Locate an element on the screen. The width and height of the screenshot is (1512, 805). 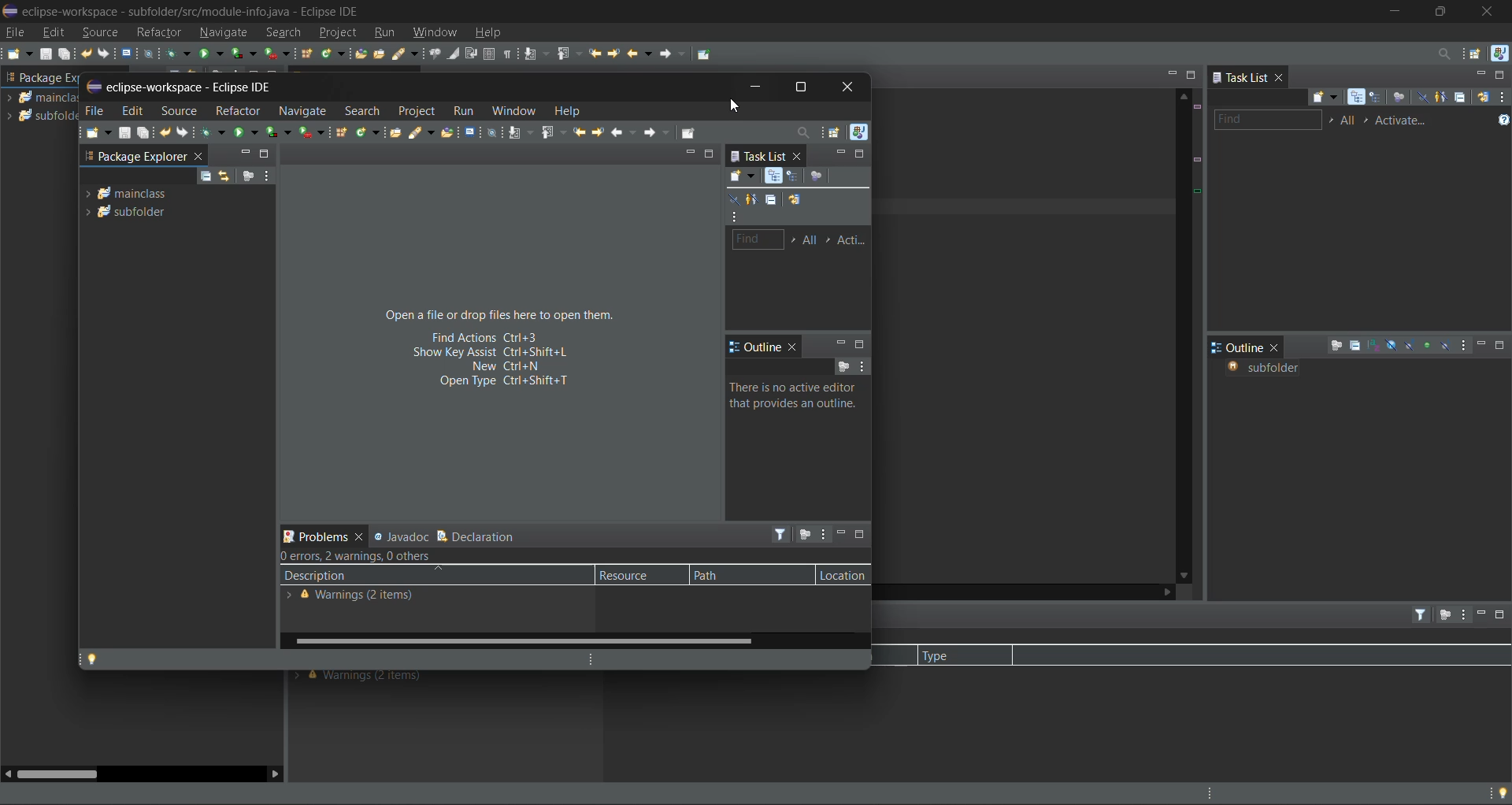
minimize is located at coordinates (1482, 347).